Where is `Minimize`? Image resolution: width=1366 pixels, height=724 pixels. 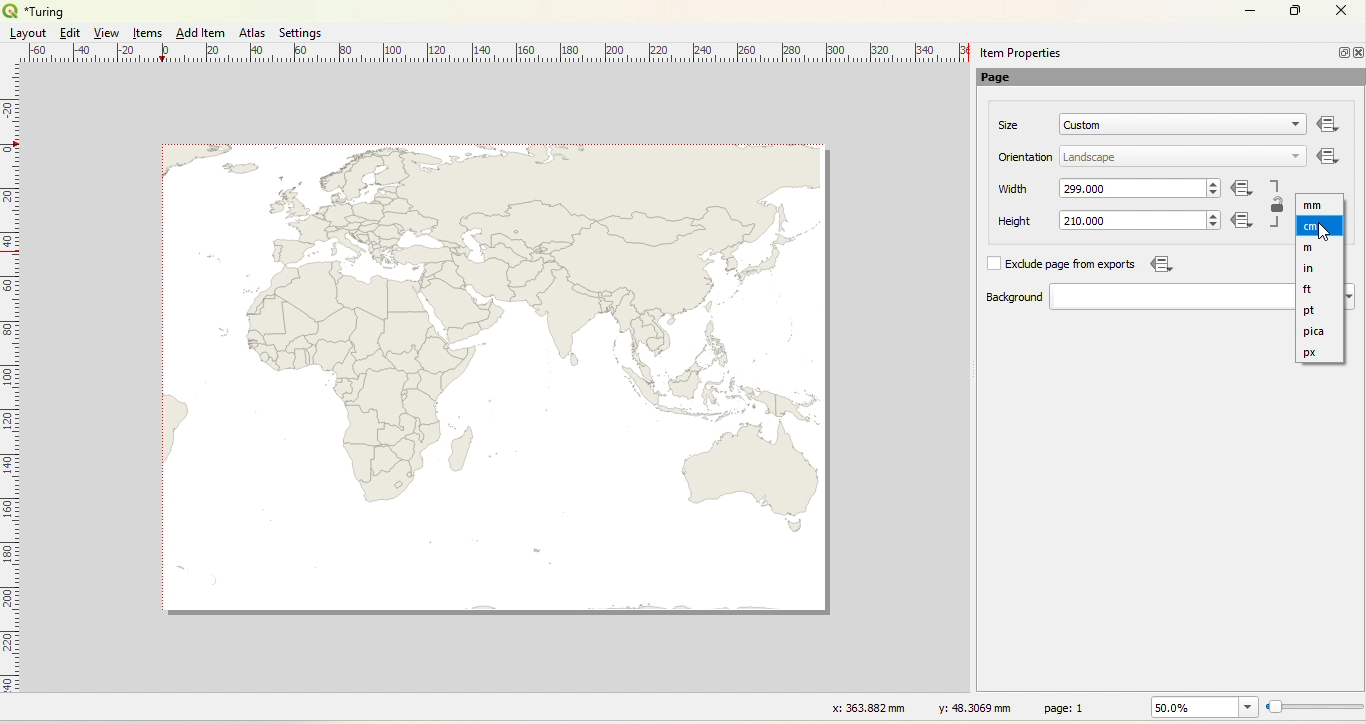 Minimize is located at coordinates (1250, 9).